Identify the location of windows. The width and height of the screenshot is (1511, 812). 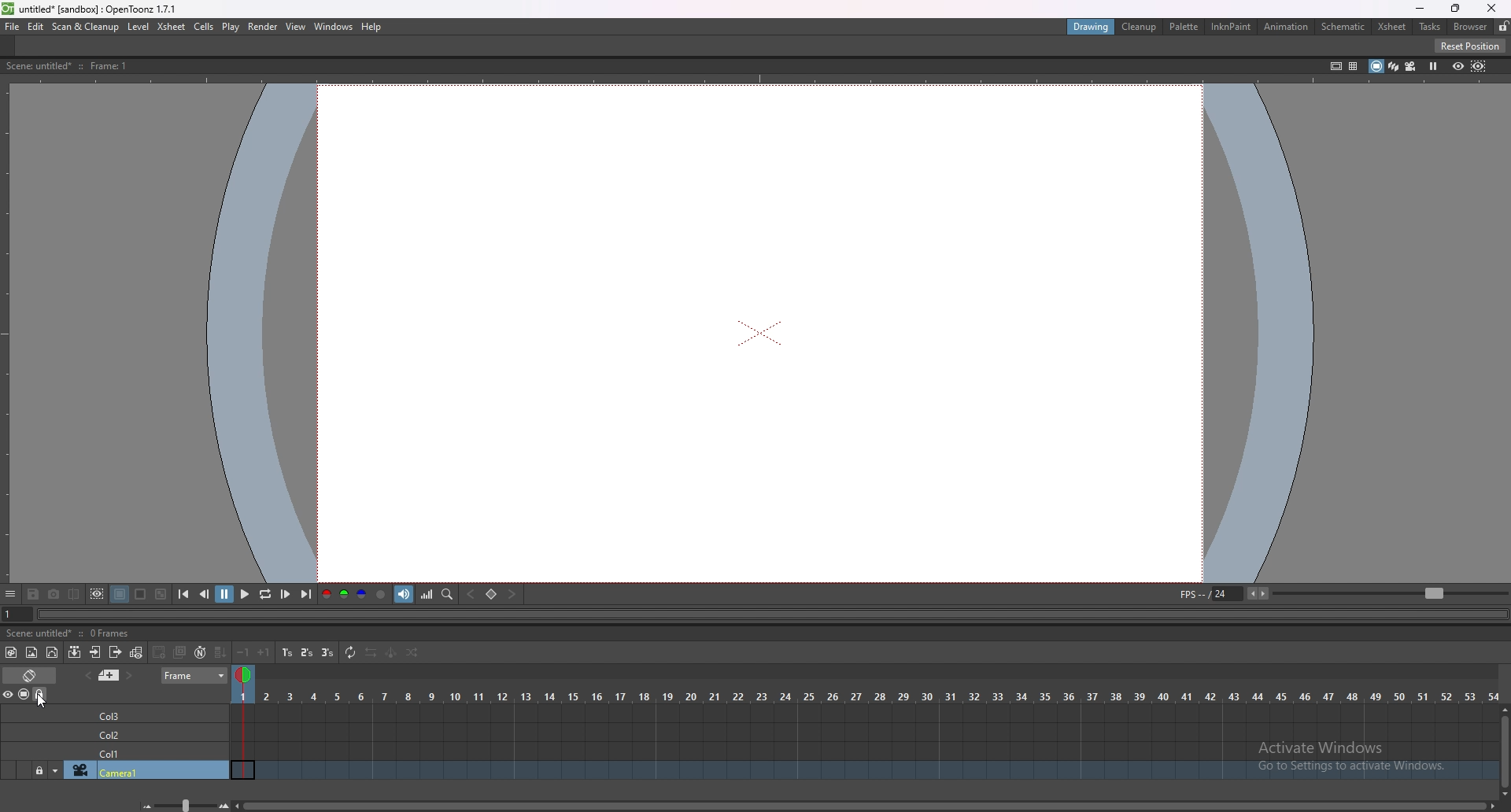
(334, 27).